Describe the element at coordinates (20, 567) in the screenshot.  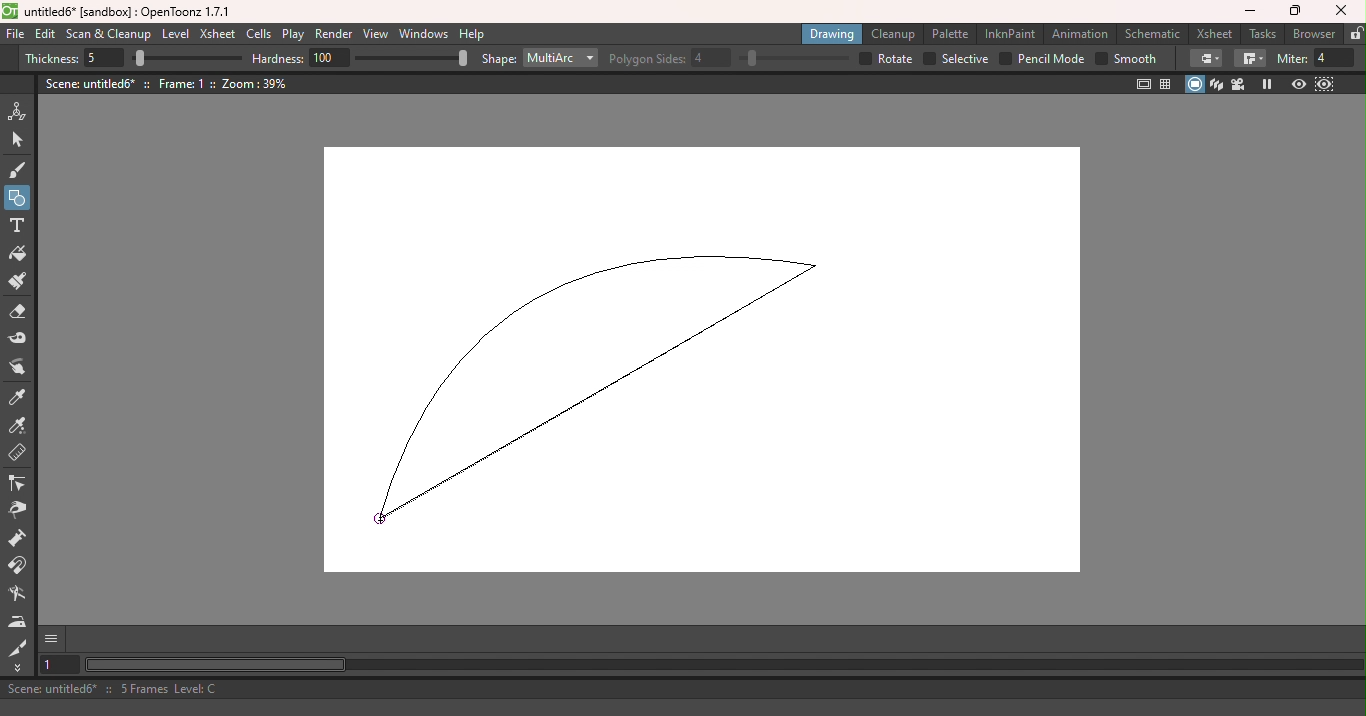
I see `Magnet tool` at that location.